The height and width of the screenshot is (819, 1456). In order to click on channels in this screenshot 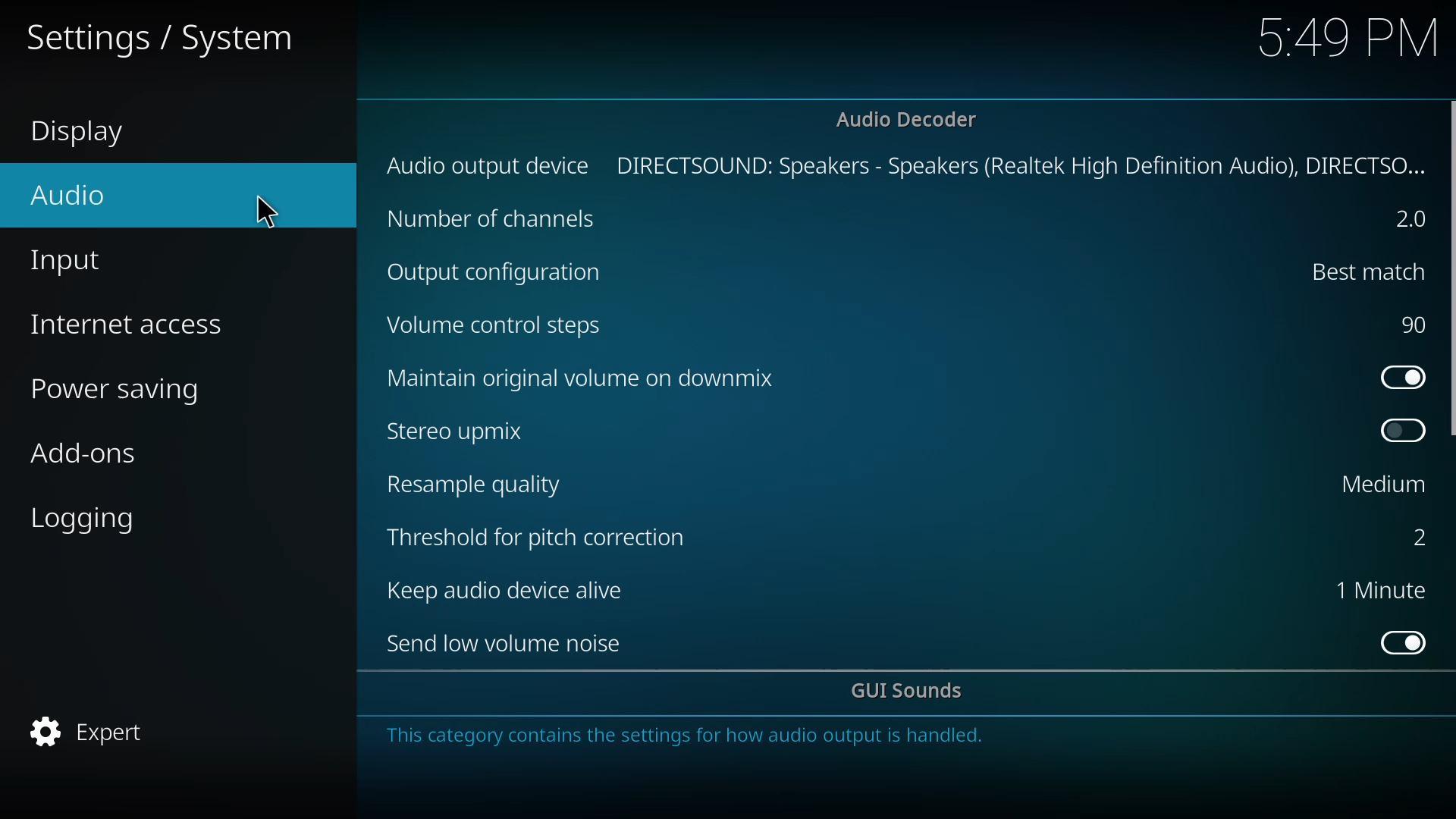, I will do `click(494, 218)`.